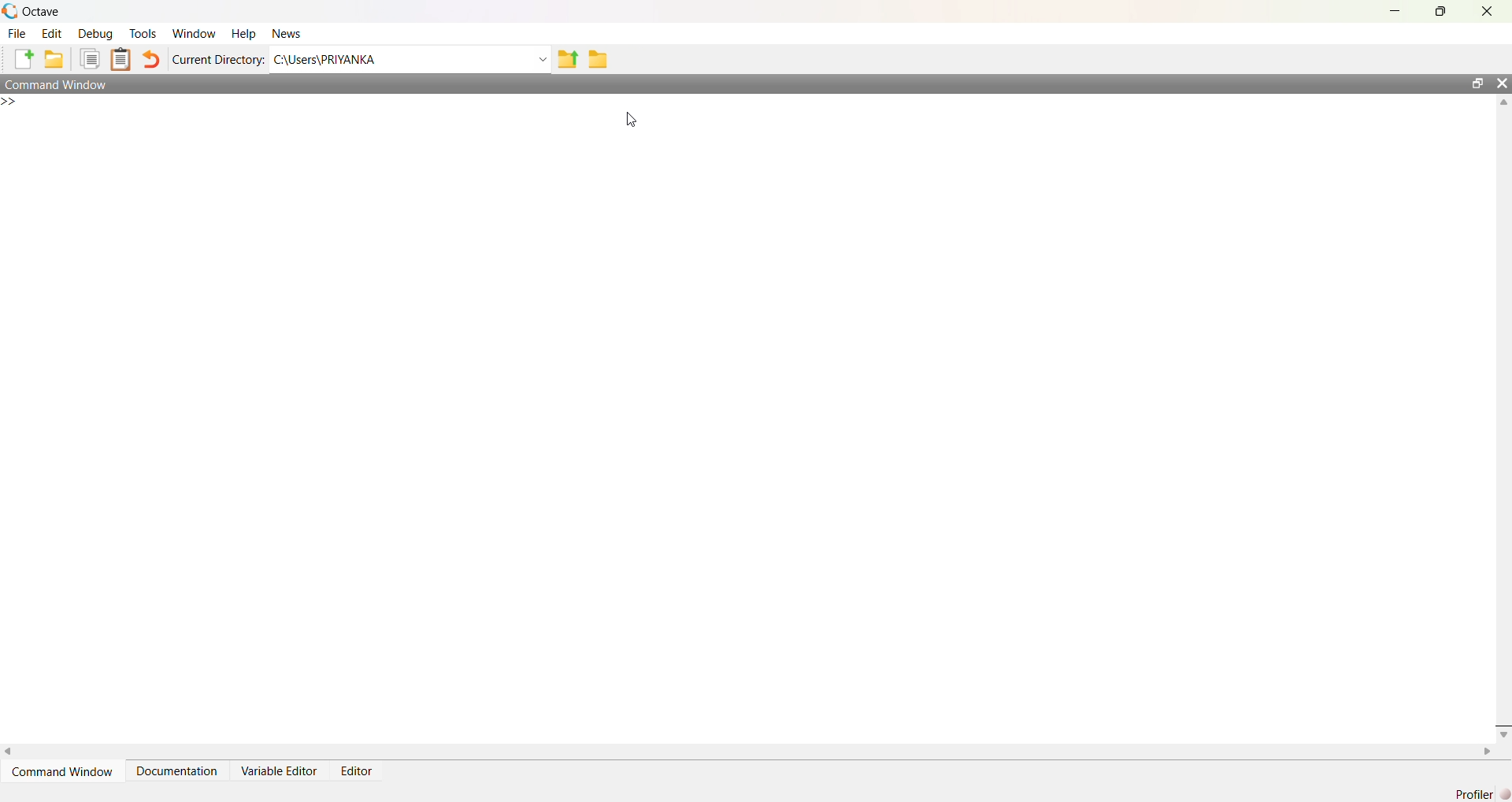 The image size is (1512, 802). I want to click on Debug, so click(98, 35).